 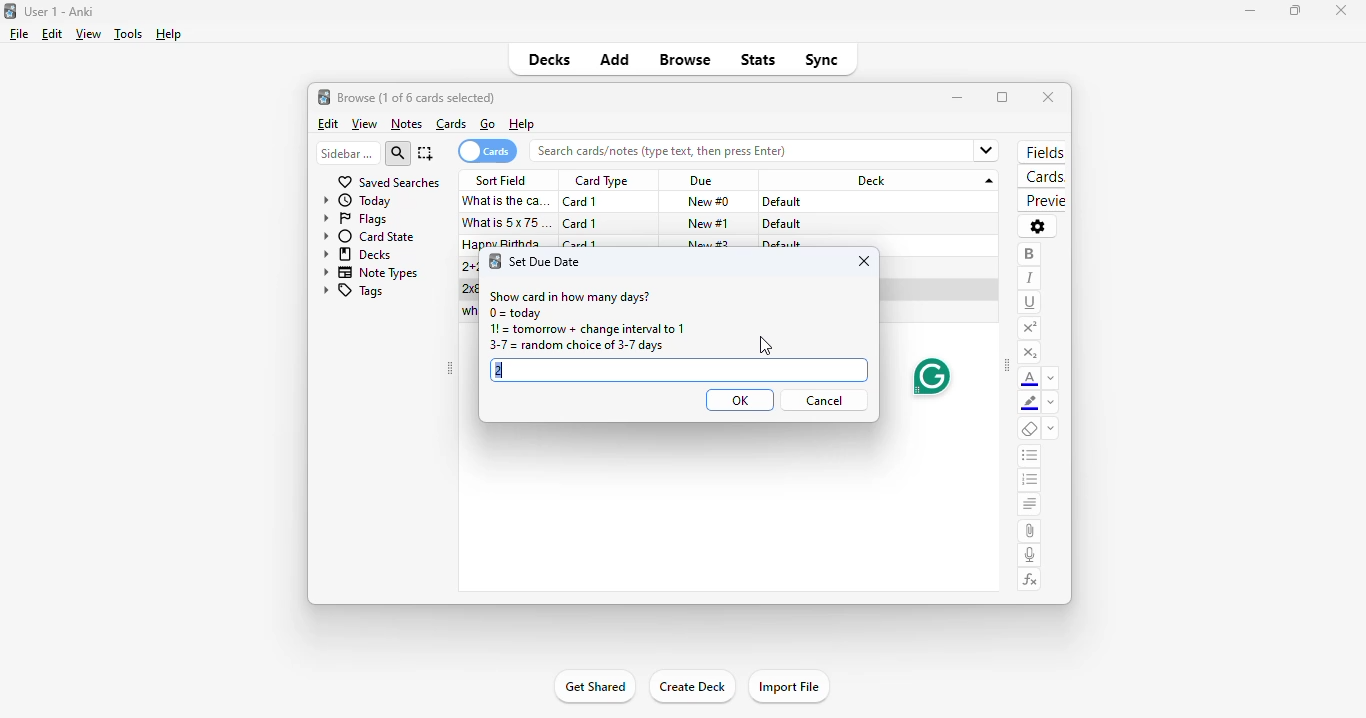 I want to click on cards, so click(x=452, y=124).